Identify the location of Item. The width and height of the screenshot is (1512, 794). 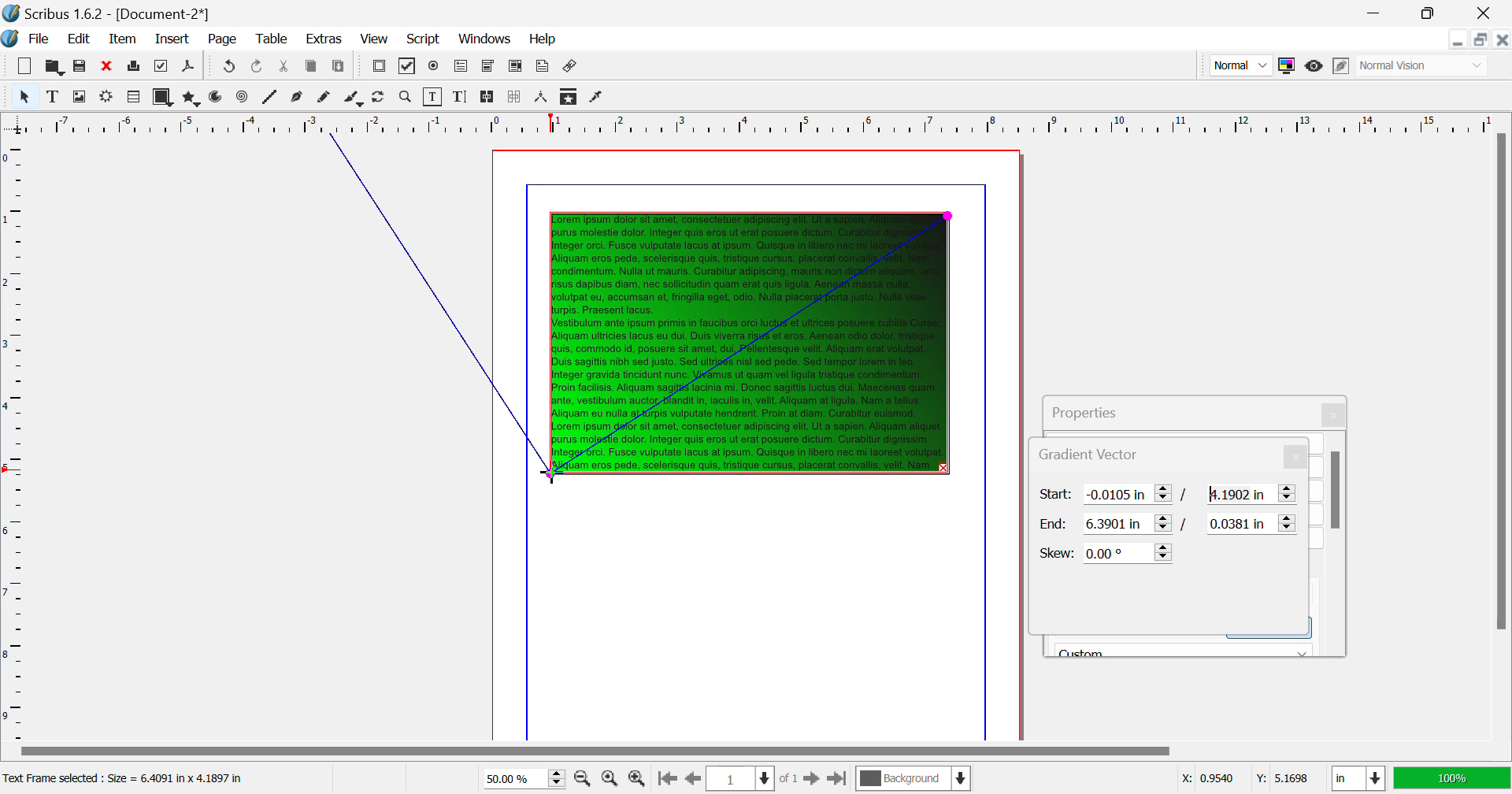
(124, 39).